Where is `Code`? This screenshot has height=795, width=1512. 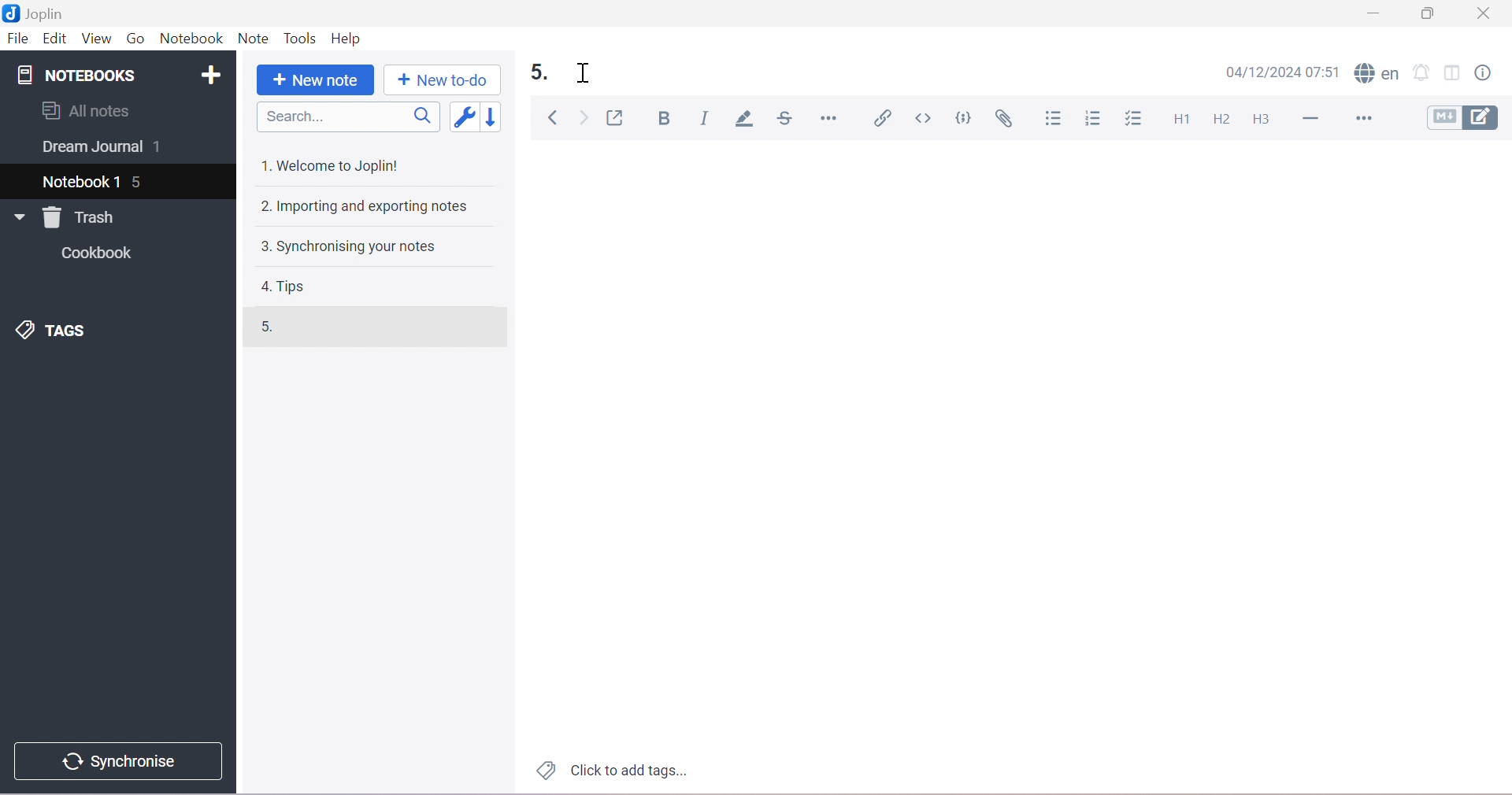
Code is located at coordinates (966, 117).